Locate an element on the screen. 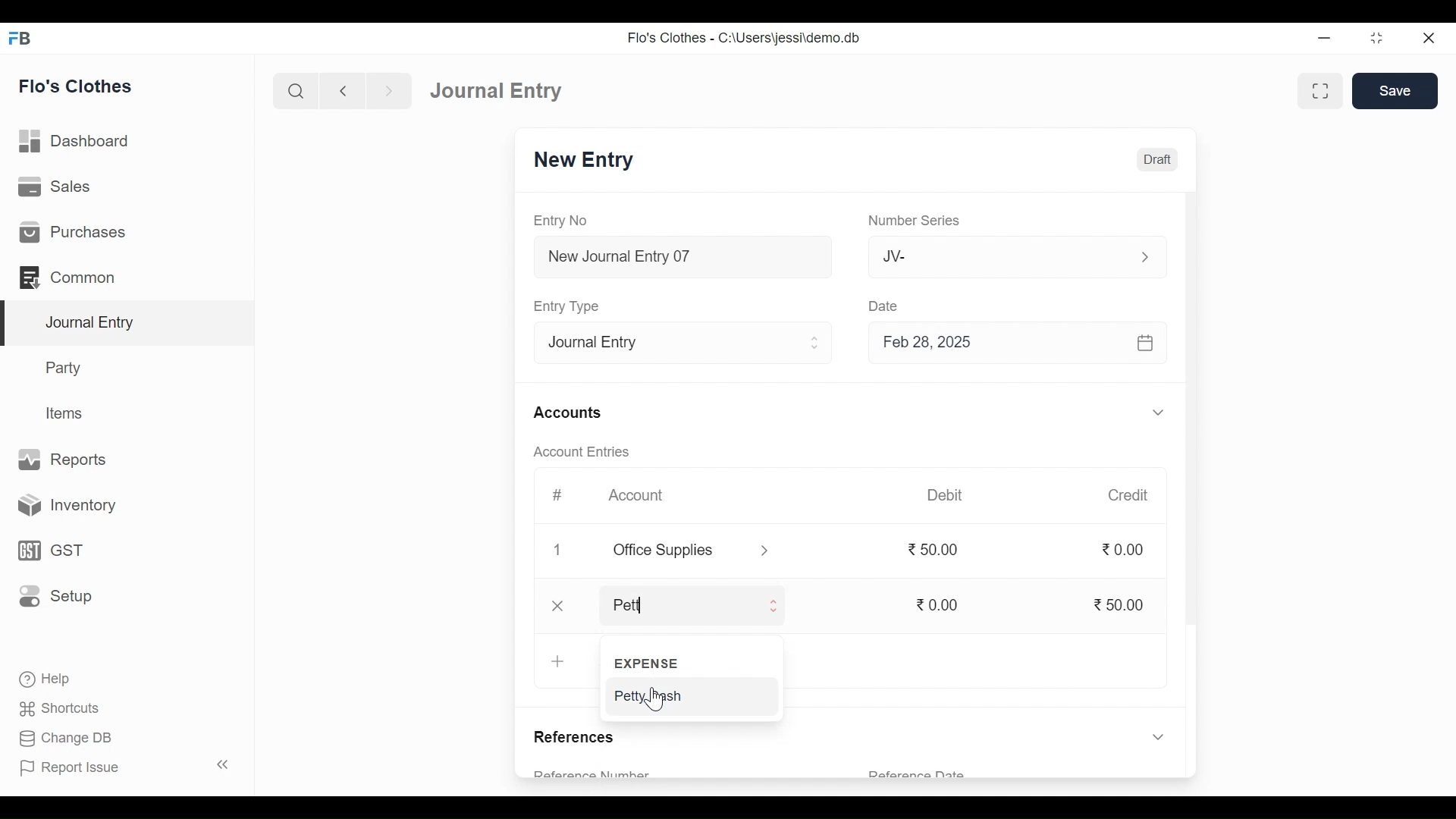 This screenshot has height=819, width=1456. Save is located at coordinates (1395, 90).